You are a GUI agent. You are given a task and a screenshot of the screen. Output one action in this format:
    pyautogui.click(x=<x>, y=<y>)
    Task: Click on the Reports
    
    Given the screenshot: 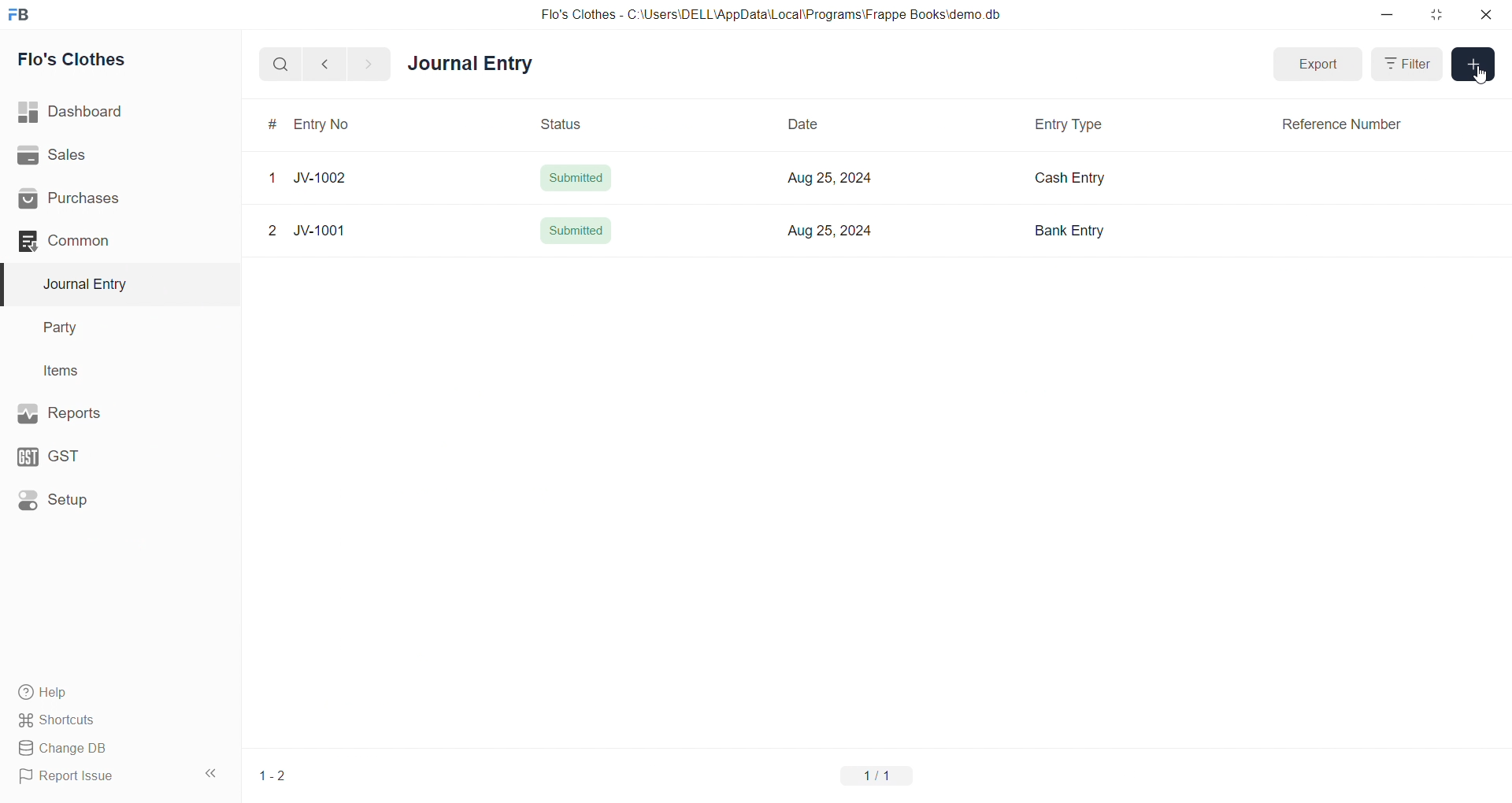 What is the action you would take?
    pyautogui.click(x=110, y=412)
    